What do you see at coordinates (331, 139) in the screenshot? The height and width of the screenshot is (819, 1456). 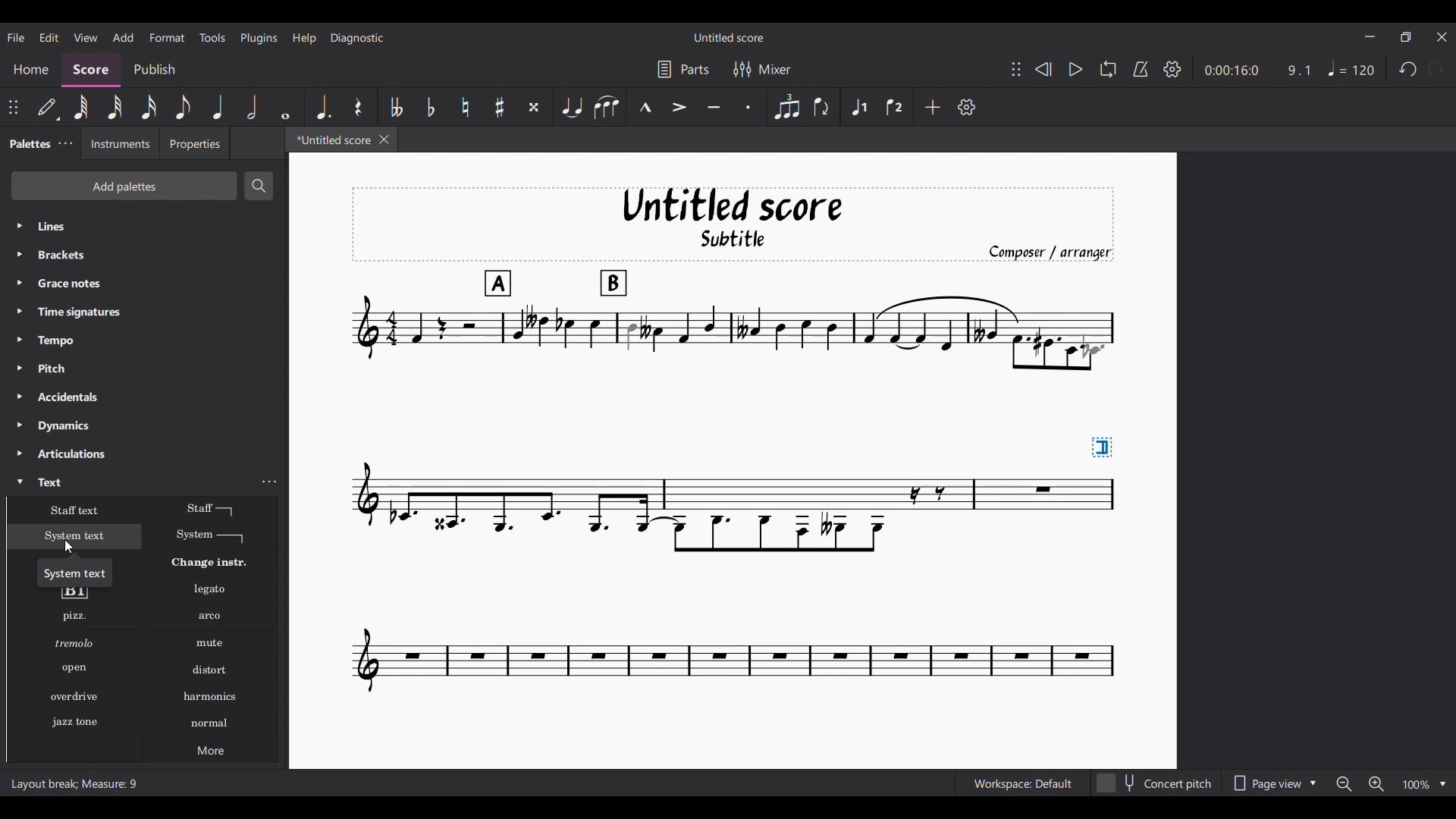 I see `*Untitled score, current tab` at bounding box center [331, 139].